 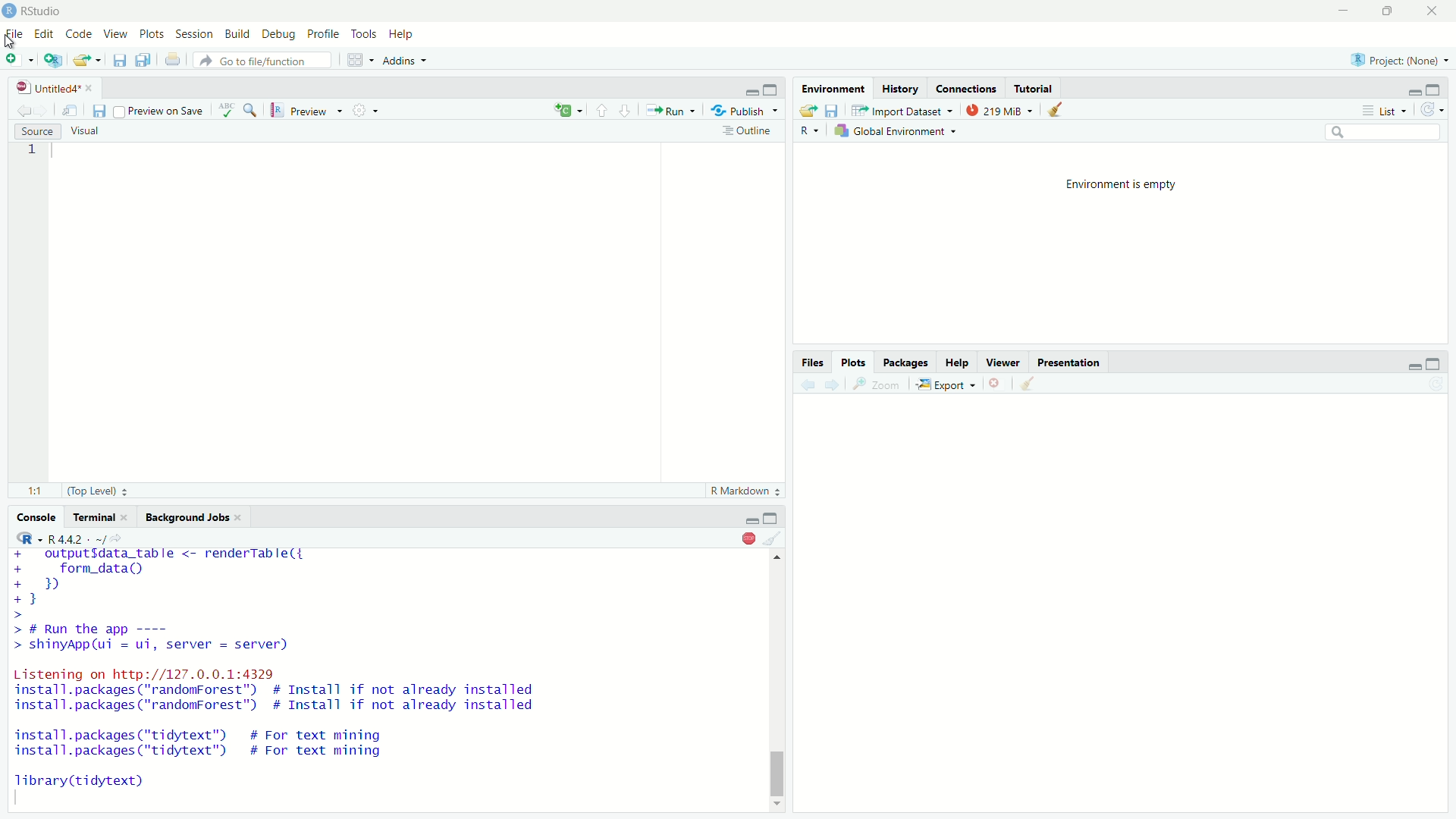 I want to click on Create a project, so click(x=53, y=60).